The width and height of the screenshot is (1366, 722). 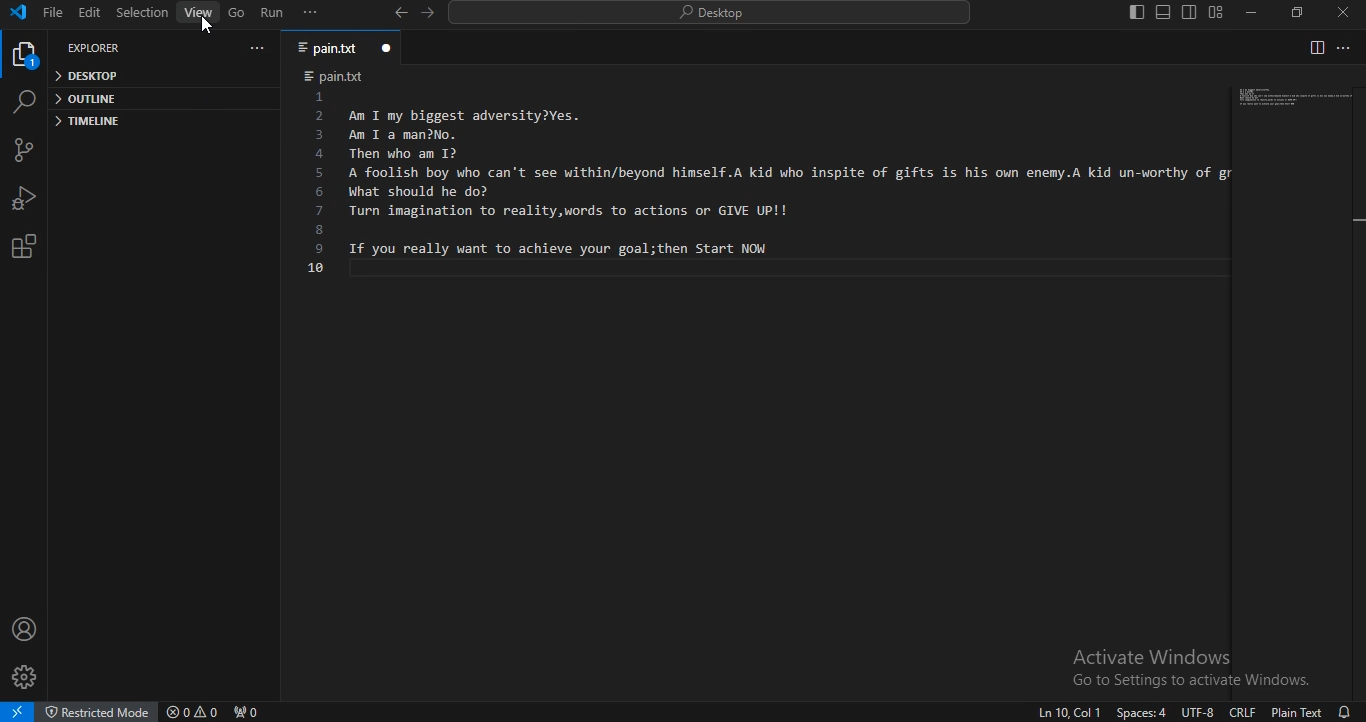 I want to click on no ports forwarded, so click(x=245, y=712).